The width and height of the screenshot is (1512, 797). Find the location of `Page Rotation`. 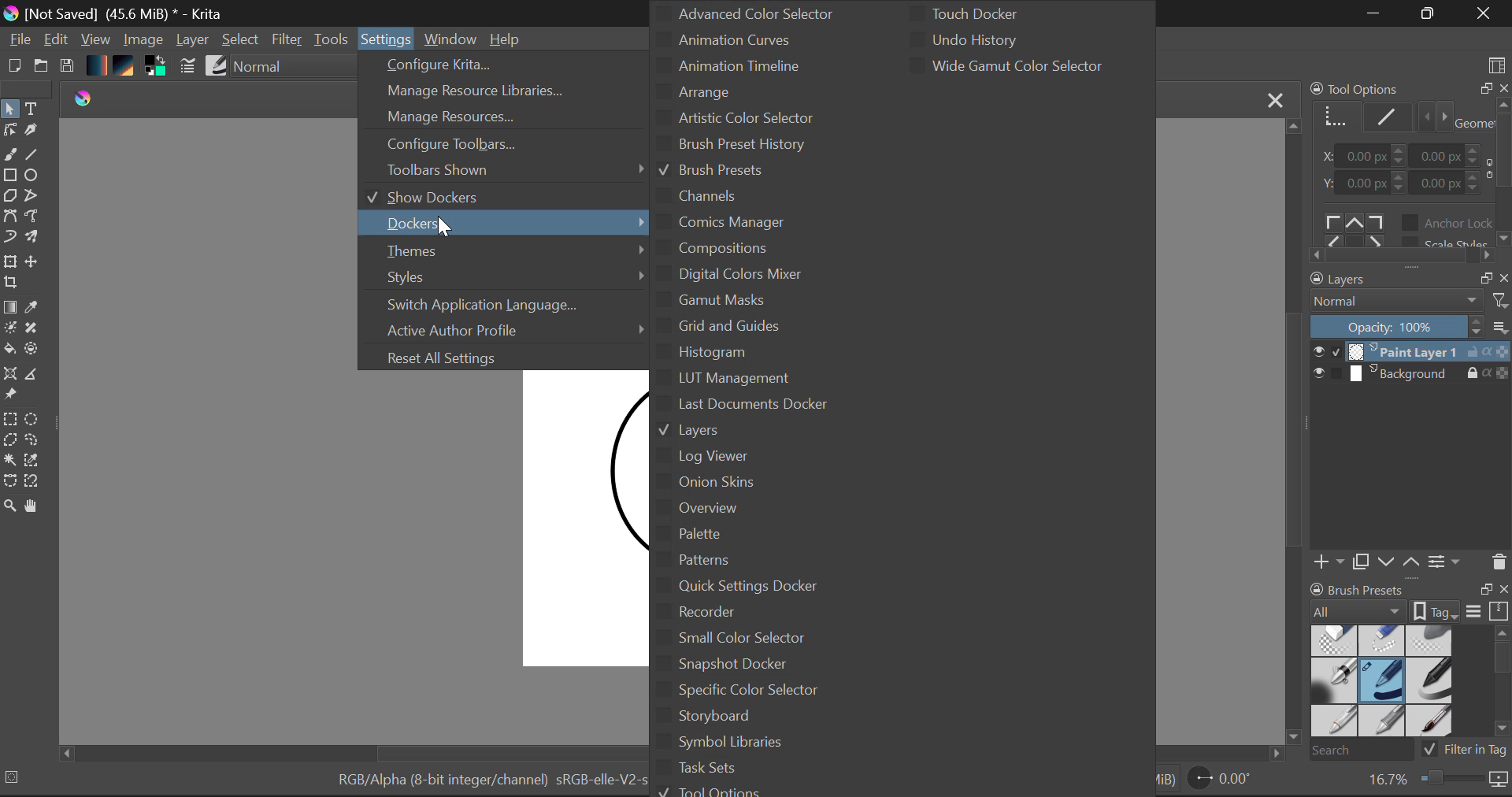

Page Rotation is located at coordinates (1225, 781).